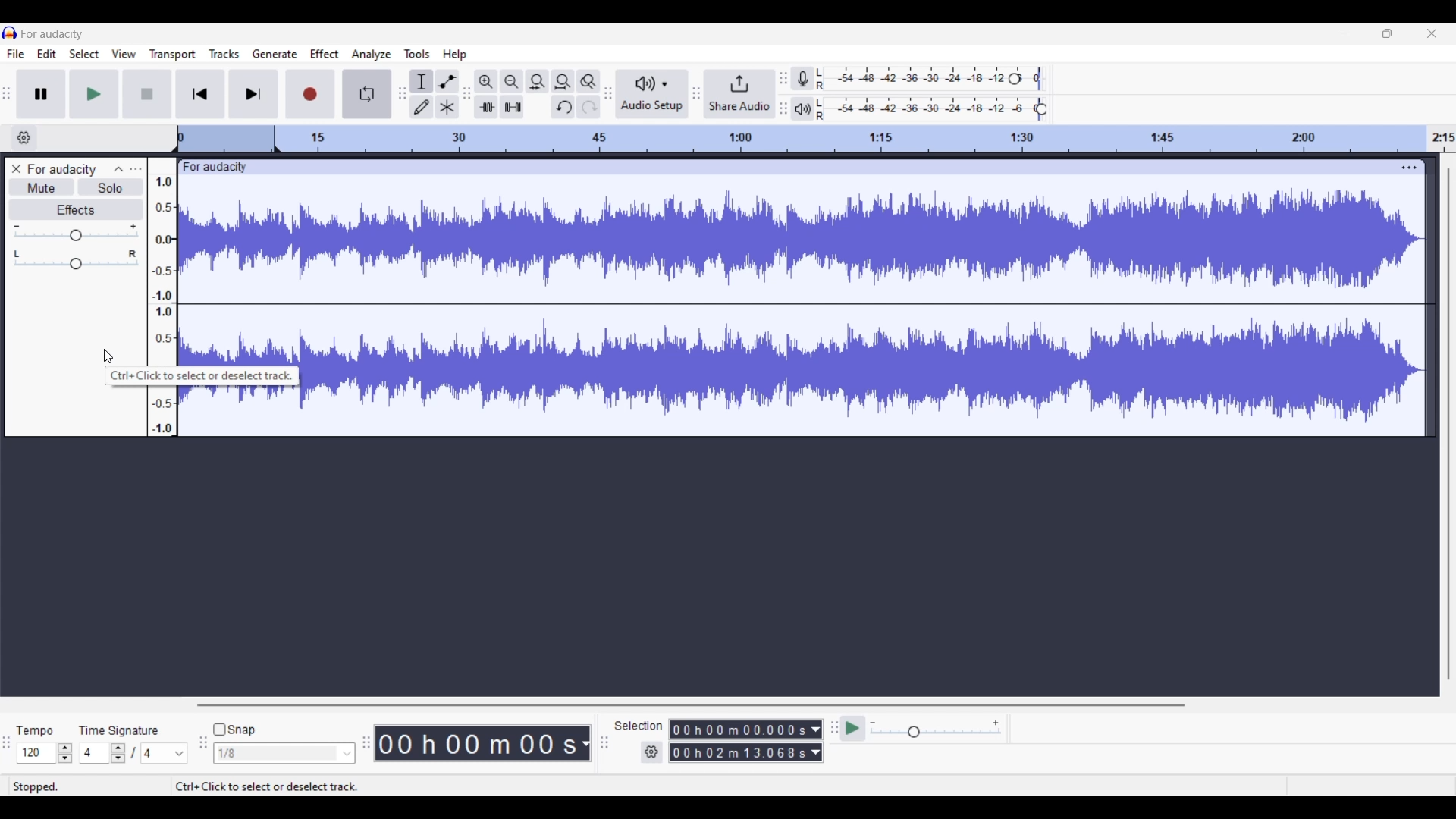 The width and height of the screenshot is (1456, 819). Describe the element at coordinates (84, 55) in the screenshot. I see `Select menu` at that location.